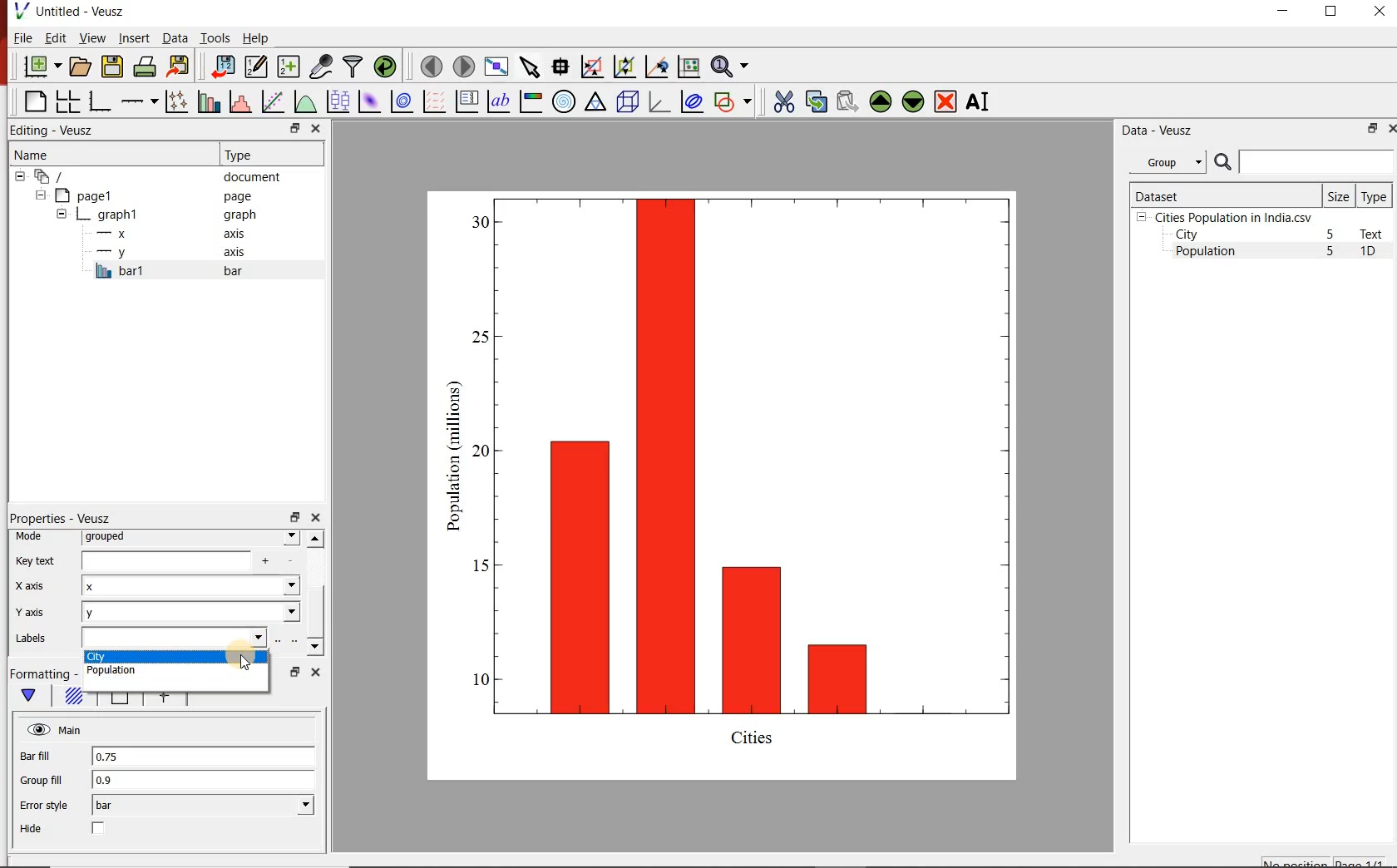  What do you see at coordinates (244, 660) in the screenshot?
I see `cursor` at bounding box center [244, 660].